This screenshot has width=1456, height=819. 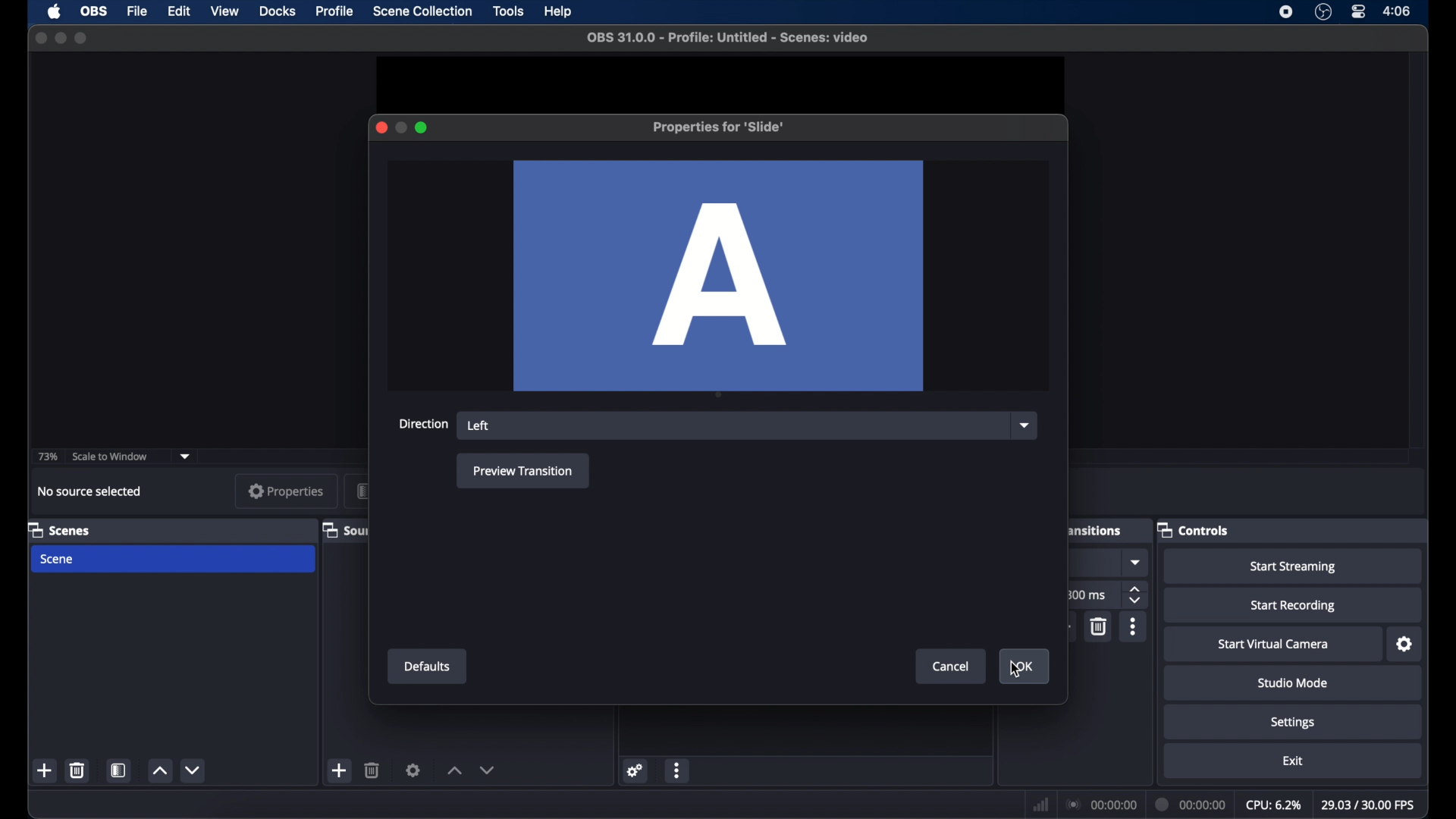 What do you see at coordinates (58, 558) in the screenshot?
I see `scene` at bounding box center [58, 558].